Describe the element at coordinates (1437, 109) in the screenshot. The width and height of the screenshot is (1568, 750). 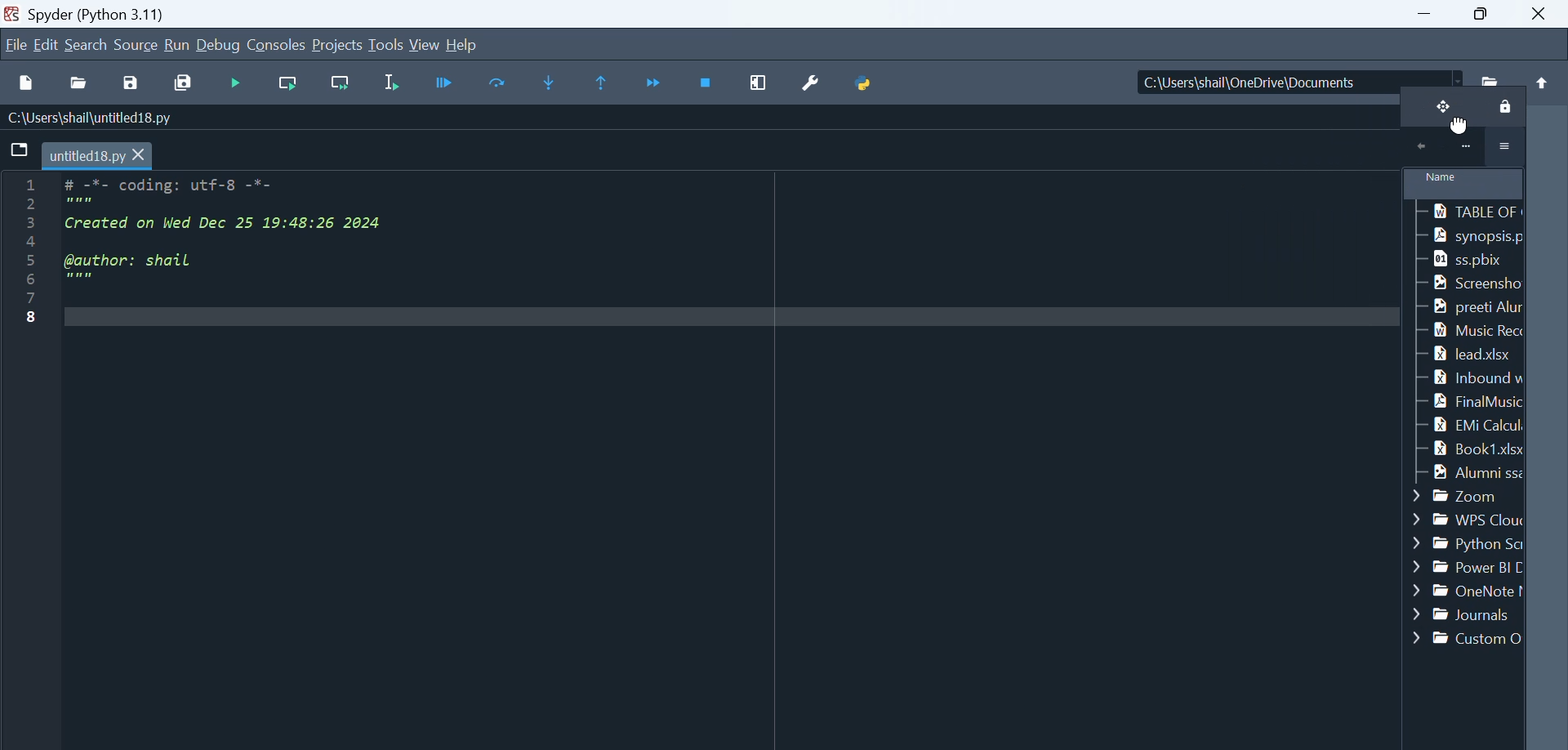
I see `unlock position` at that location.